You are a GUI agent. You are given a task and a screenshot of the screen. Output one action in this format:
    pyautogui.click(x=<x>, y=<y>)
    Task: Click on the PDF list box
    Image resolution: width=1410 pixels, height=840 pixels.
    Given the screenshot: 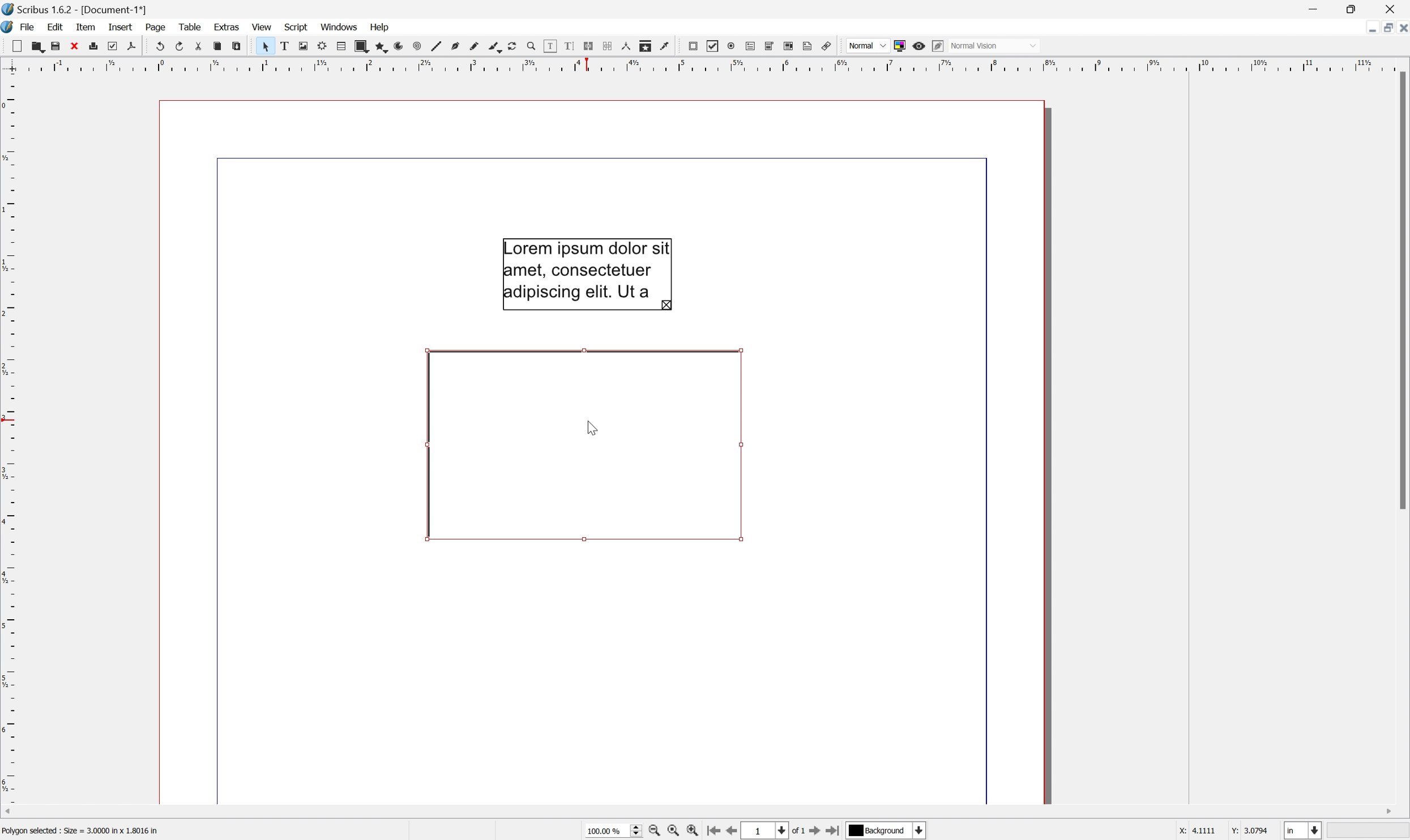 What is the action you would take?
    pyautogui.click(x=789, y=46)
    